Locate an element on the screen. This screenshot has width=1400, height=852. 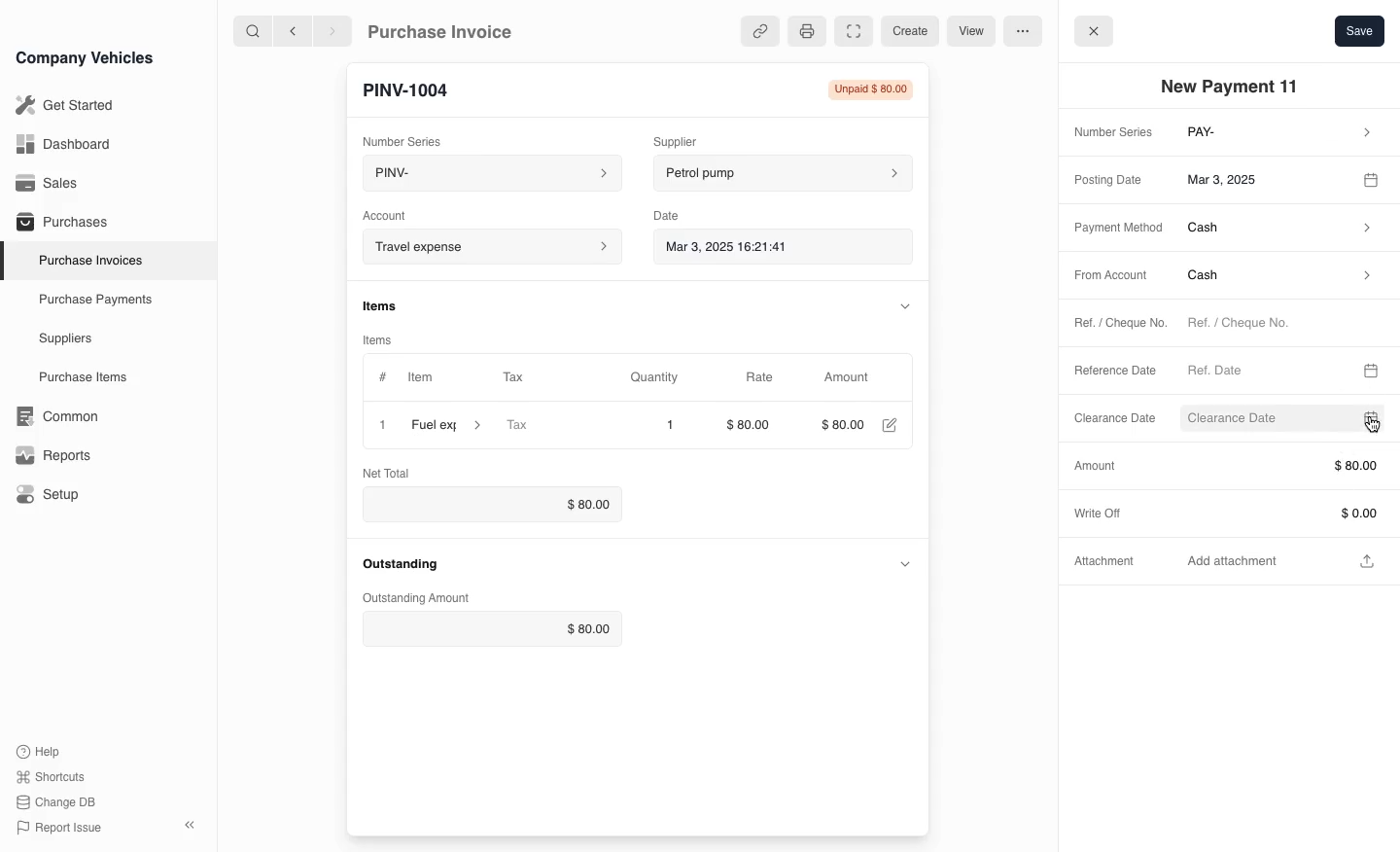
Quantity is located at coordinates (664, 377).